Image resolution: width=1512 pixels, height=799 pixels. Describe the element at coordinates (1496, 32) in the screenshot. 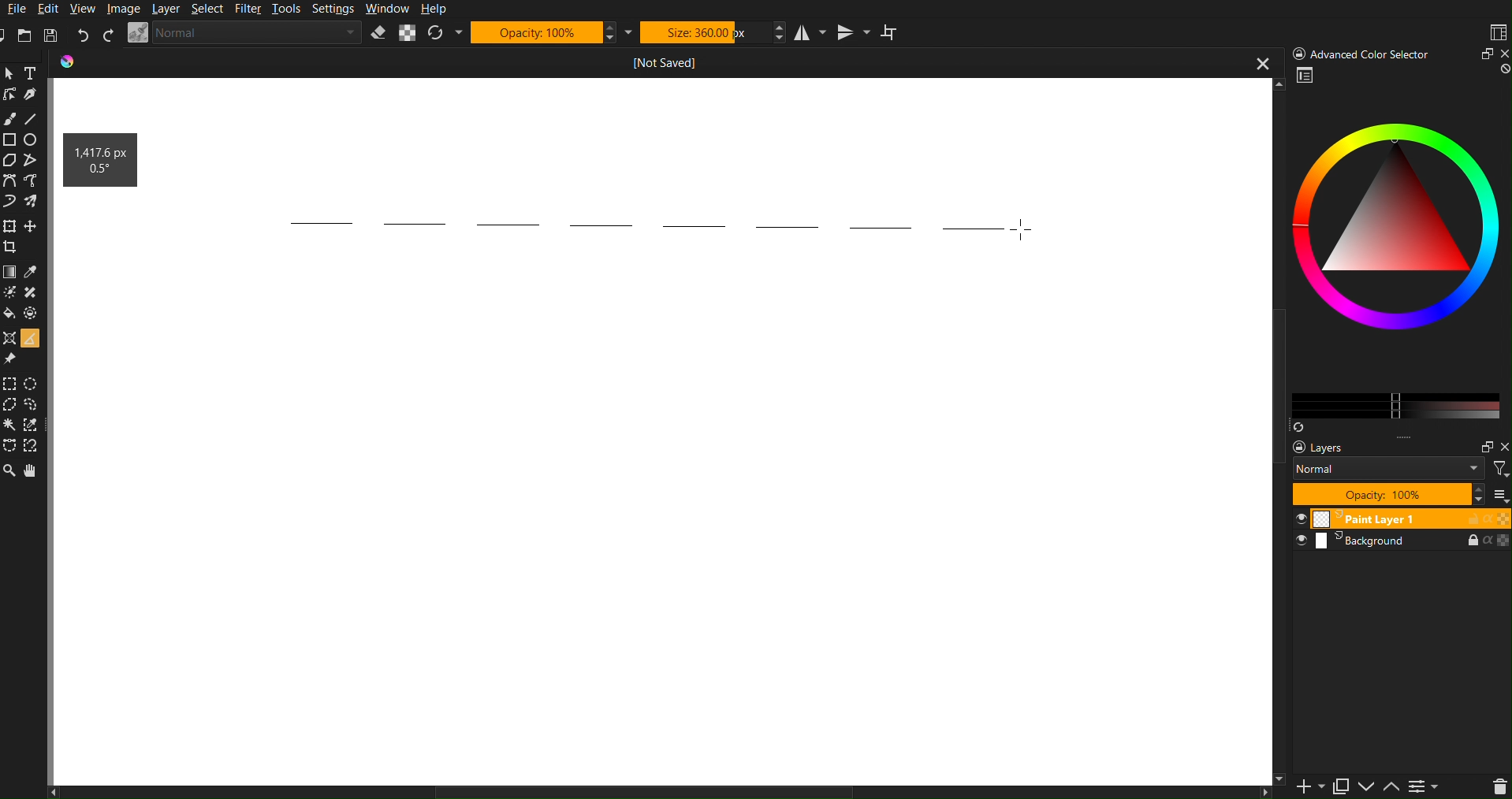

I see `Workspace` at that location.